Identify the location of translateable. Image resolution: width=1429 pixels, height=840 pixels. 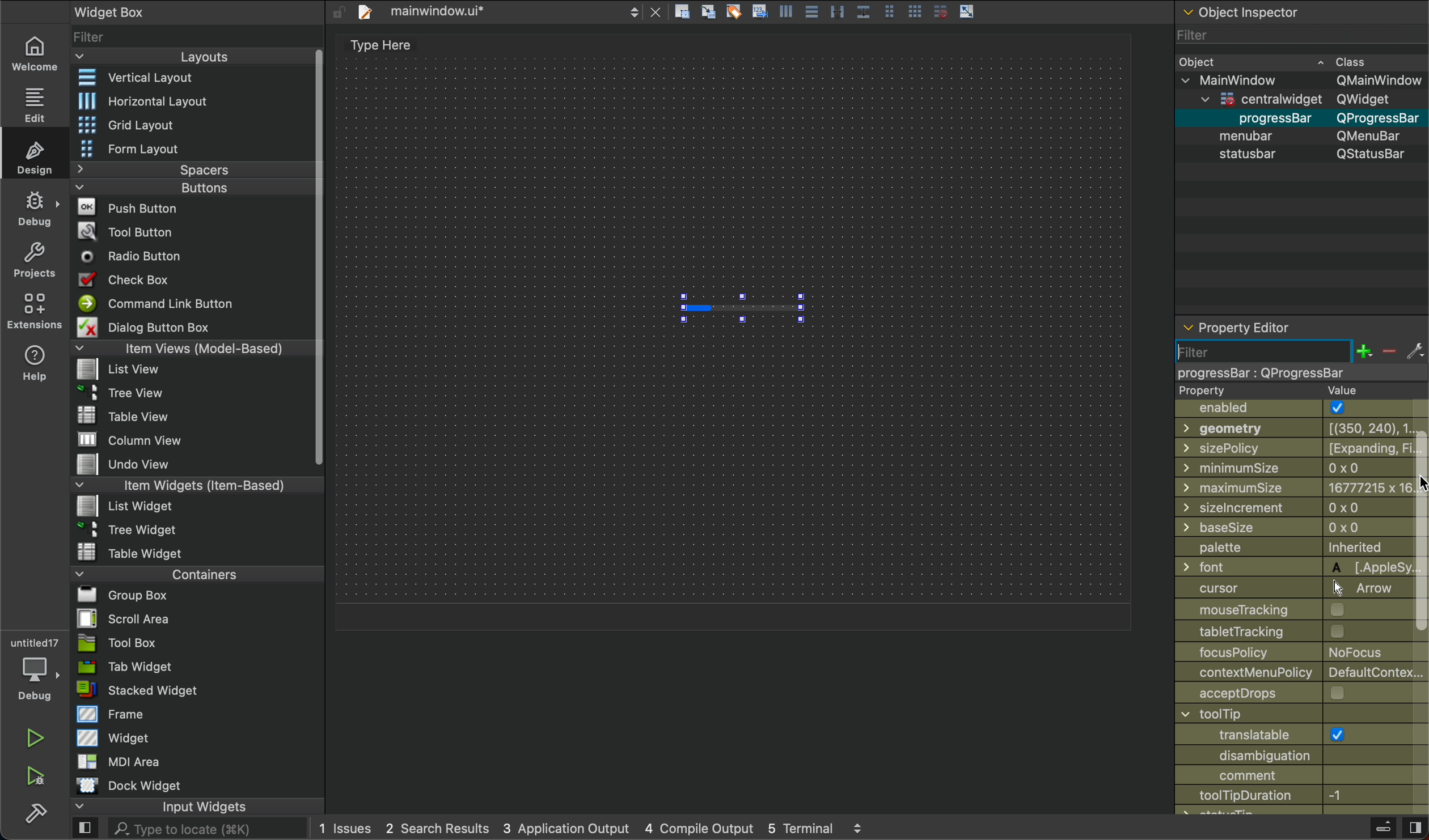
(1303, 725).